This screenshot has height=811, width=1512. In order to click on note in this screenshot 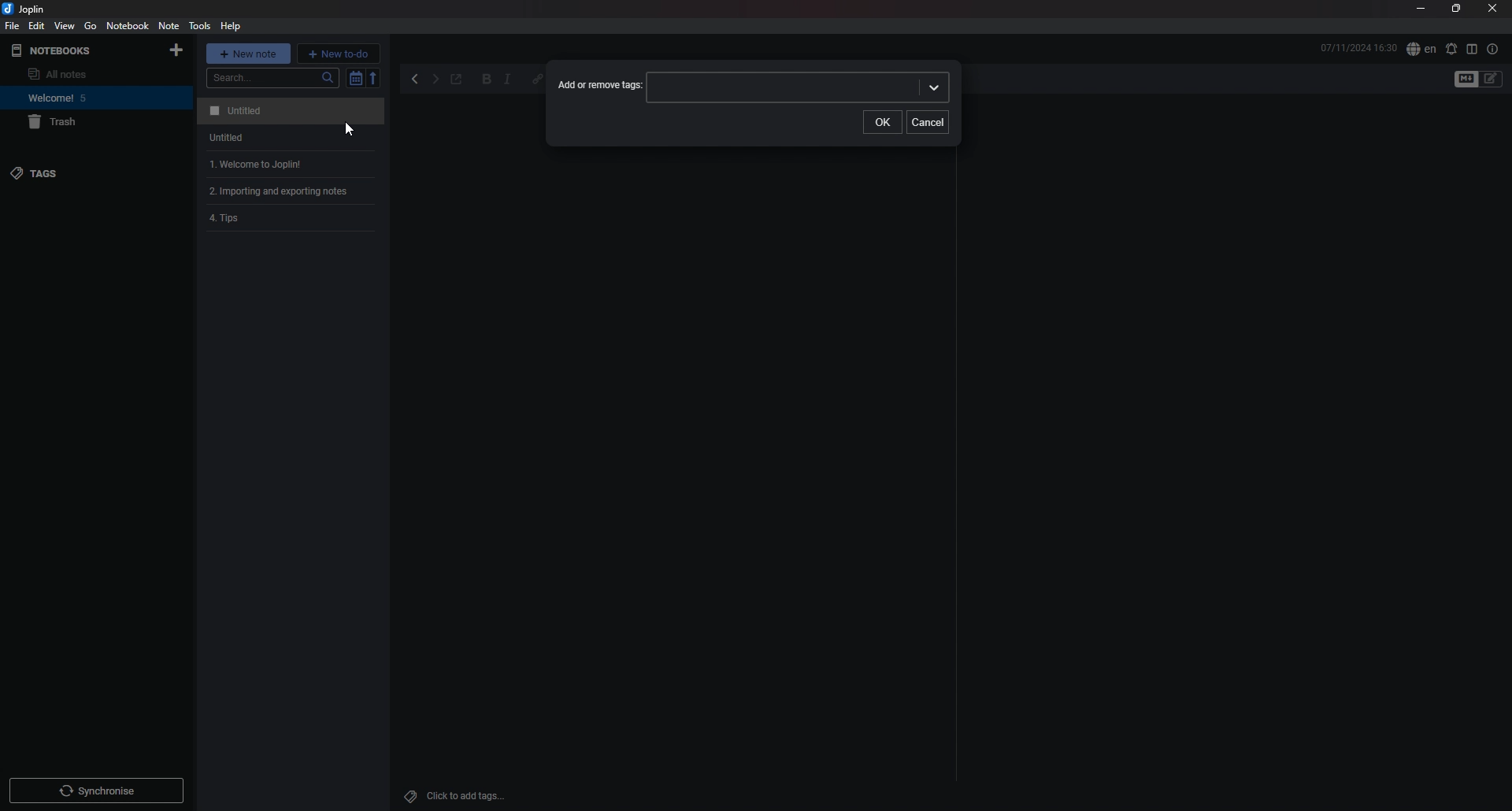, I will do `click(287, 138)`.